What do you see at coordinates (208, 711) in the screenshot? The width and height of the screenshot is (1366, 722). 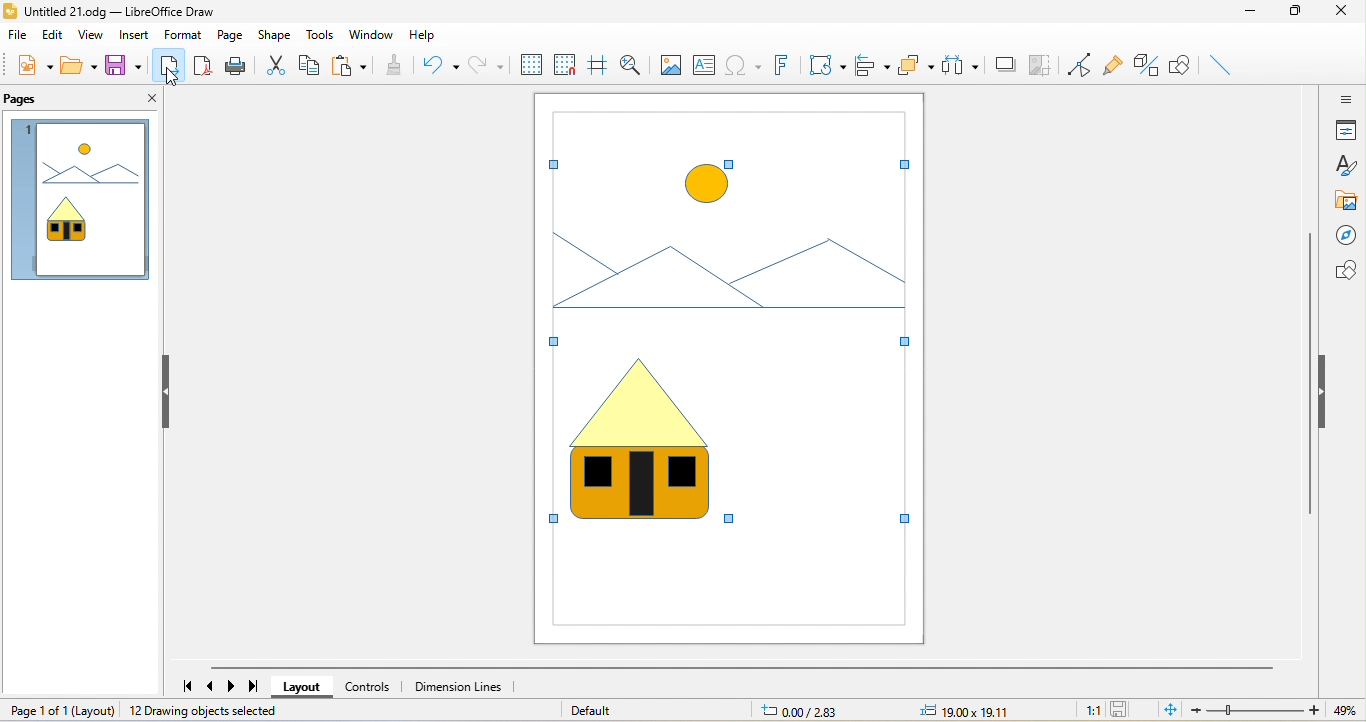 I see `12 drawing objects selected` at bounding box center [208, 711].